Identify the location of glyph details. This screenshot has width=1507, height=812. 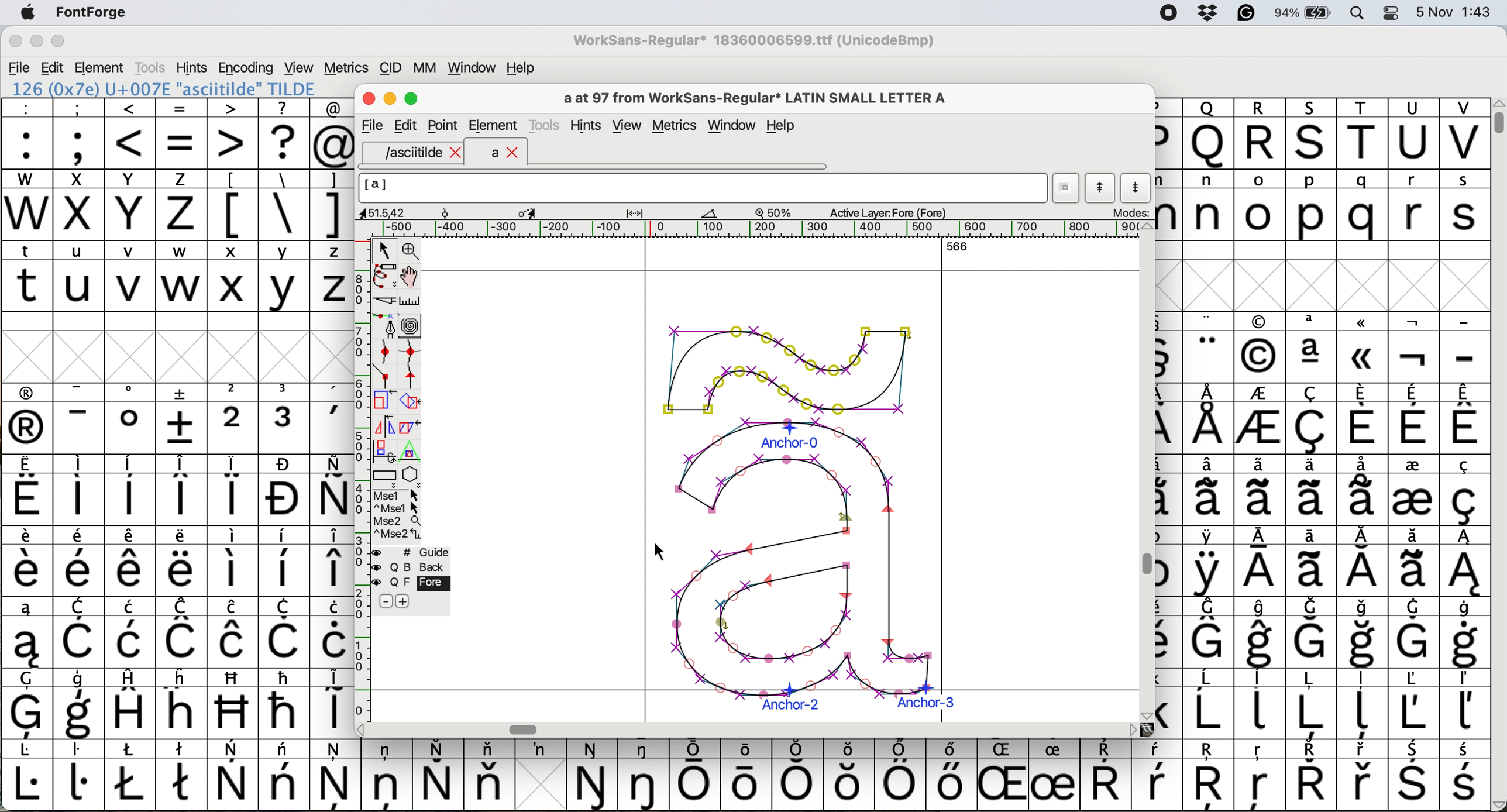
(546, 212).